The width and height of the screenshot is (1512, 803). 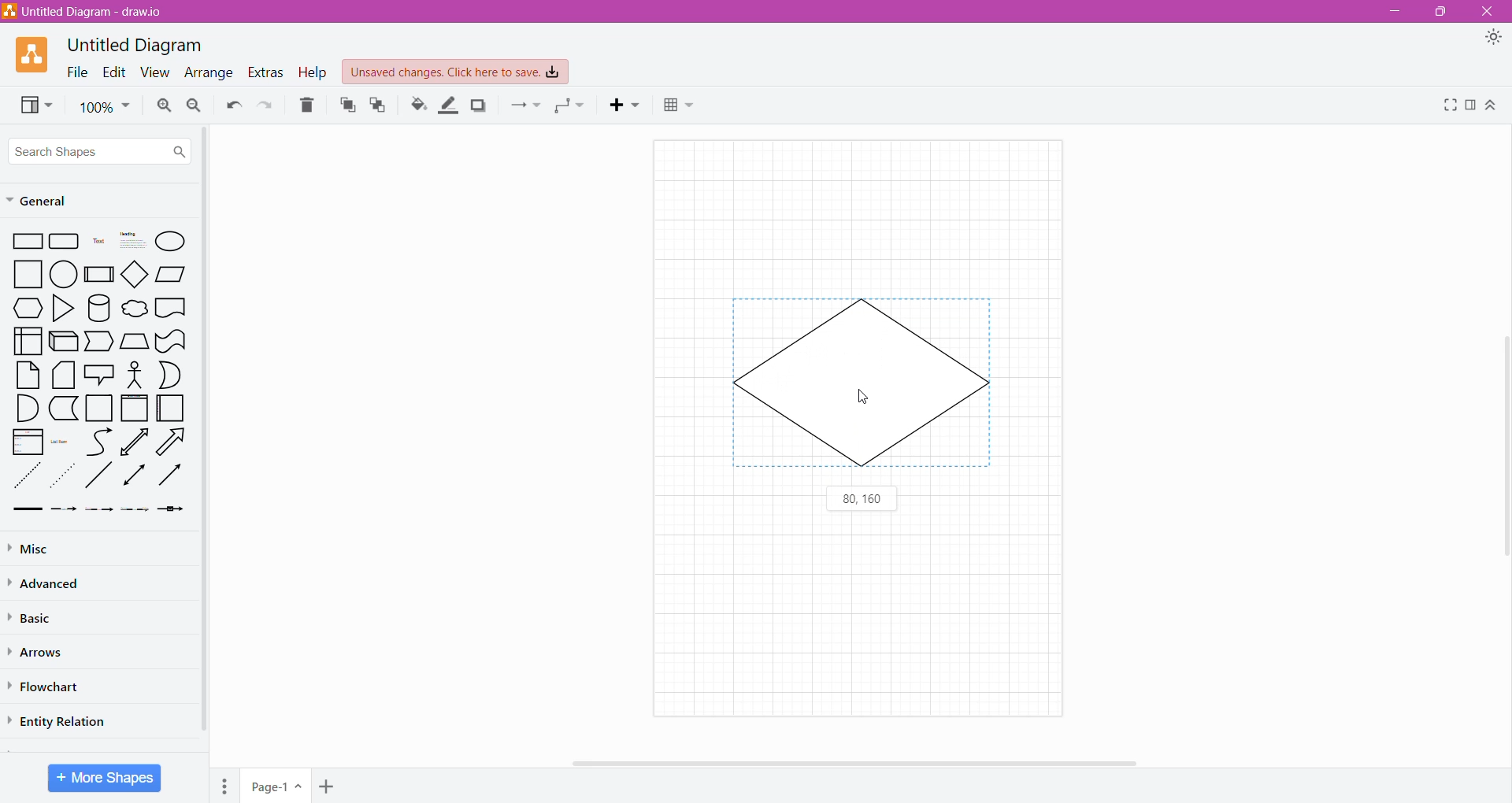 What do you see at coordinates (100, 273) in the screenshot?
I see `Process` at bounding box center [100, 273].